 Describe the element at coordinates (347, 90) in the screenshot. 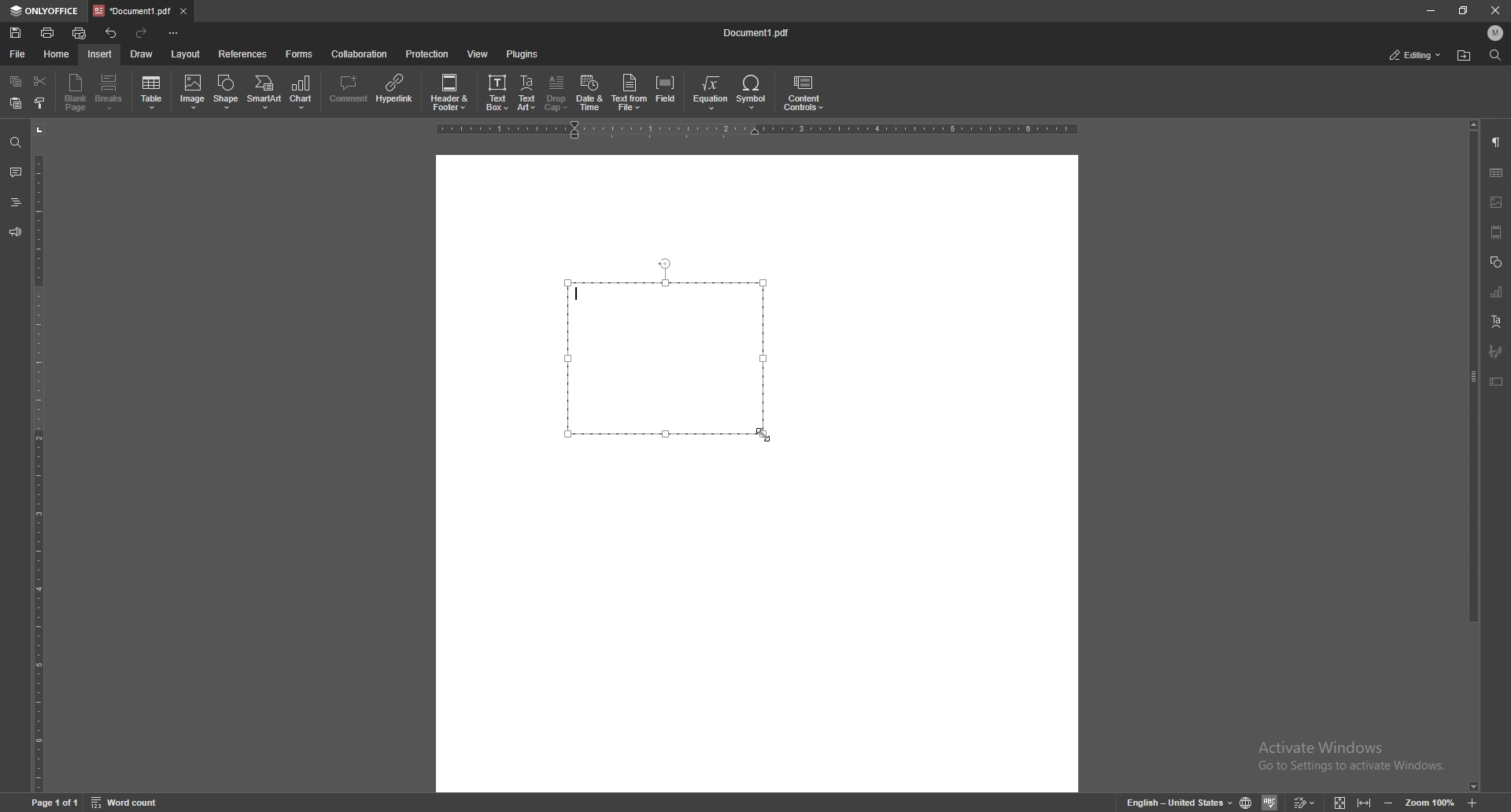

I see `comment` at that location.